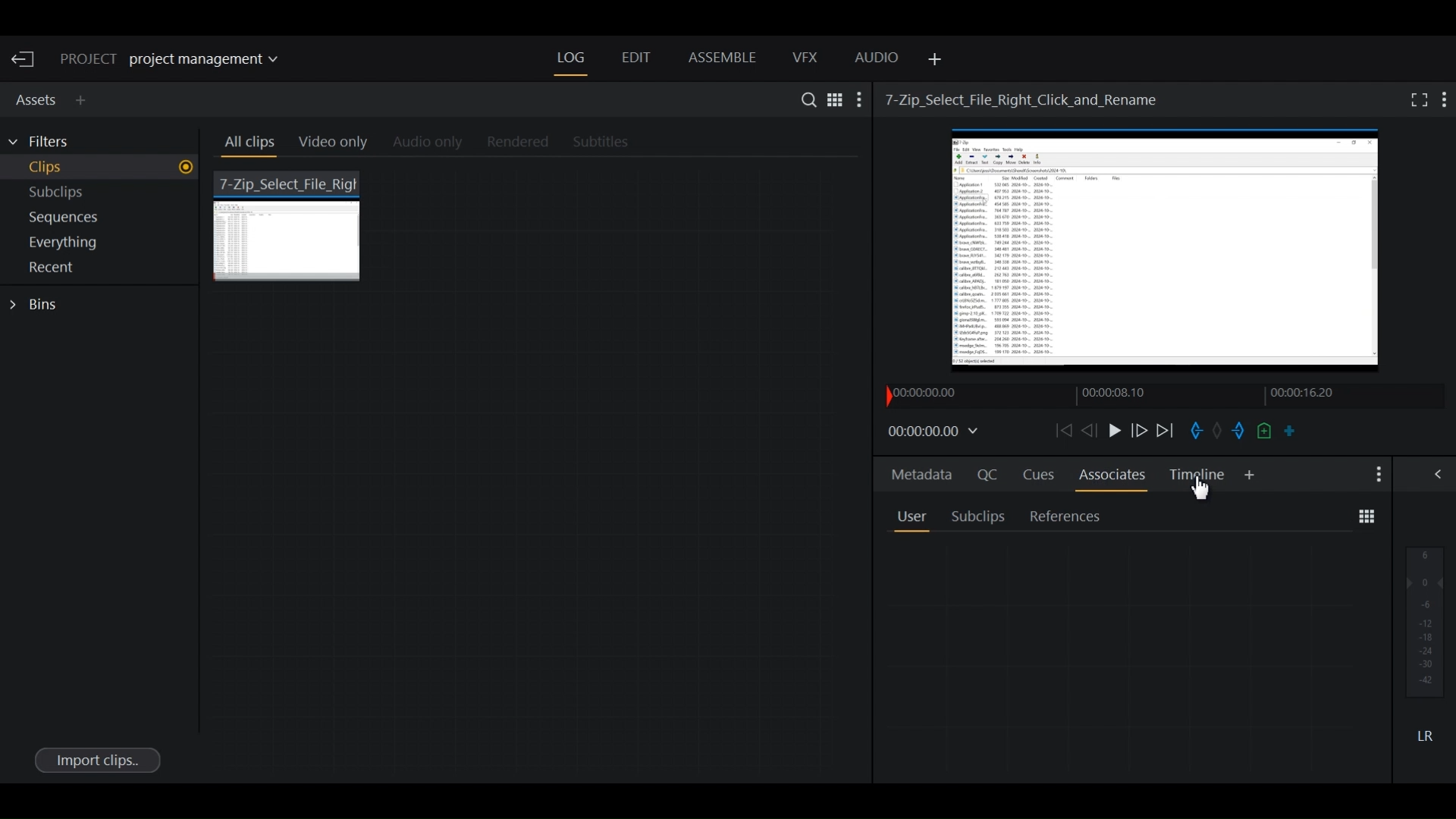 This screenshot has width=1456, height=819. What do you see at coordinates (1062, 430) in the screenshot?
I see `Move backward` at bounding box center [1062, 430].